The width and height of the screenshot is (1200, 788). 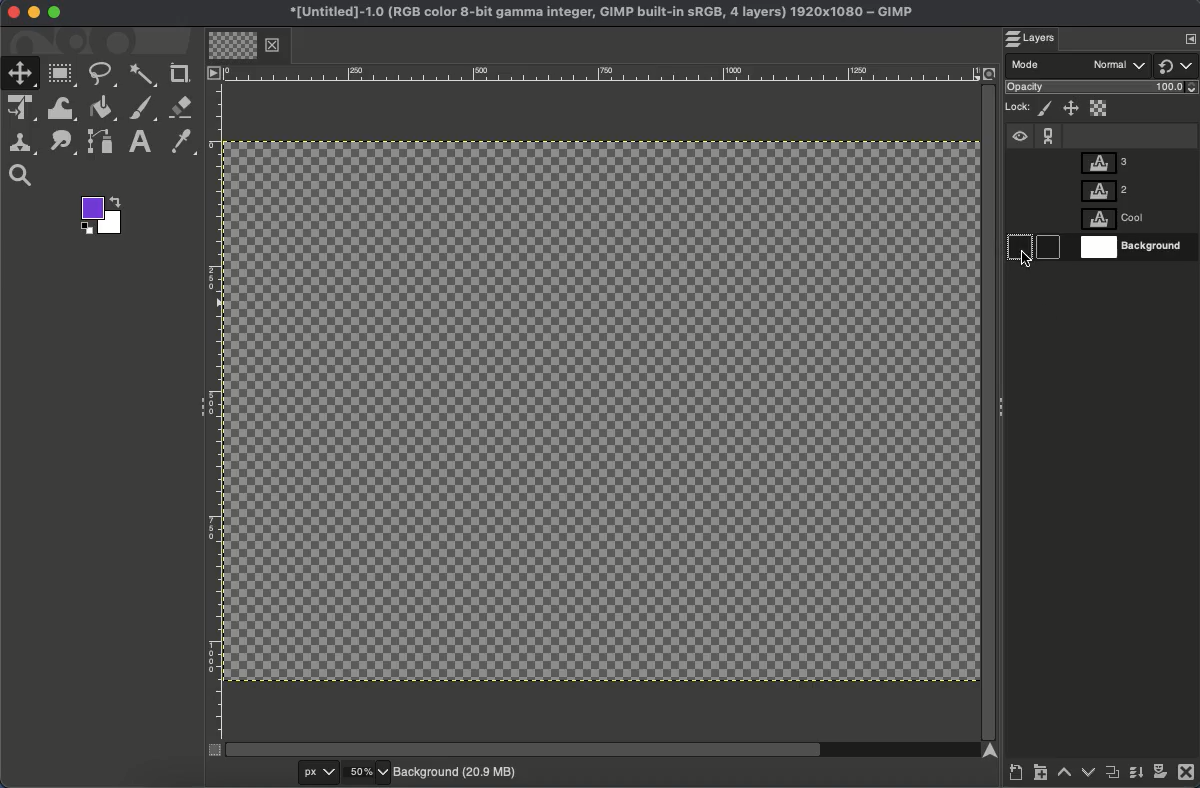 I want to click on Free select, so click(x=106, y=74).